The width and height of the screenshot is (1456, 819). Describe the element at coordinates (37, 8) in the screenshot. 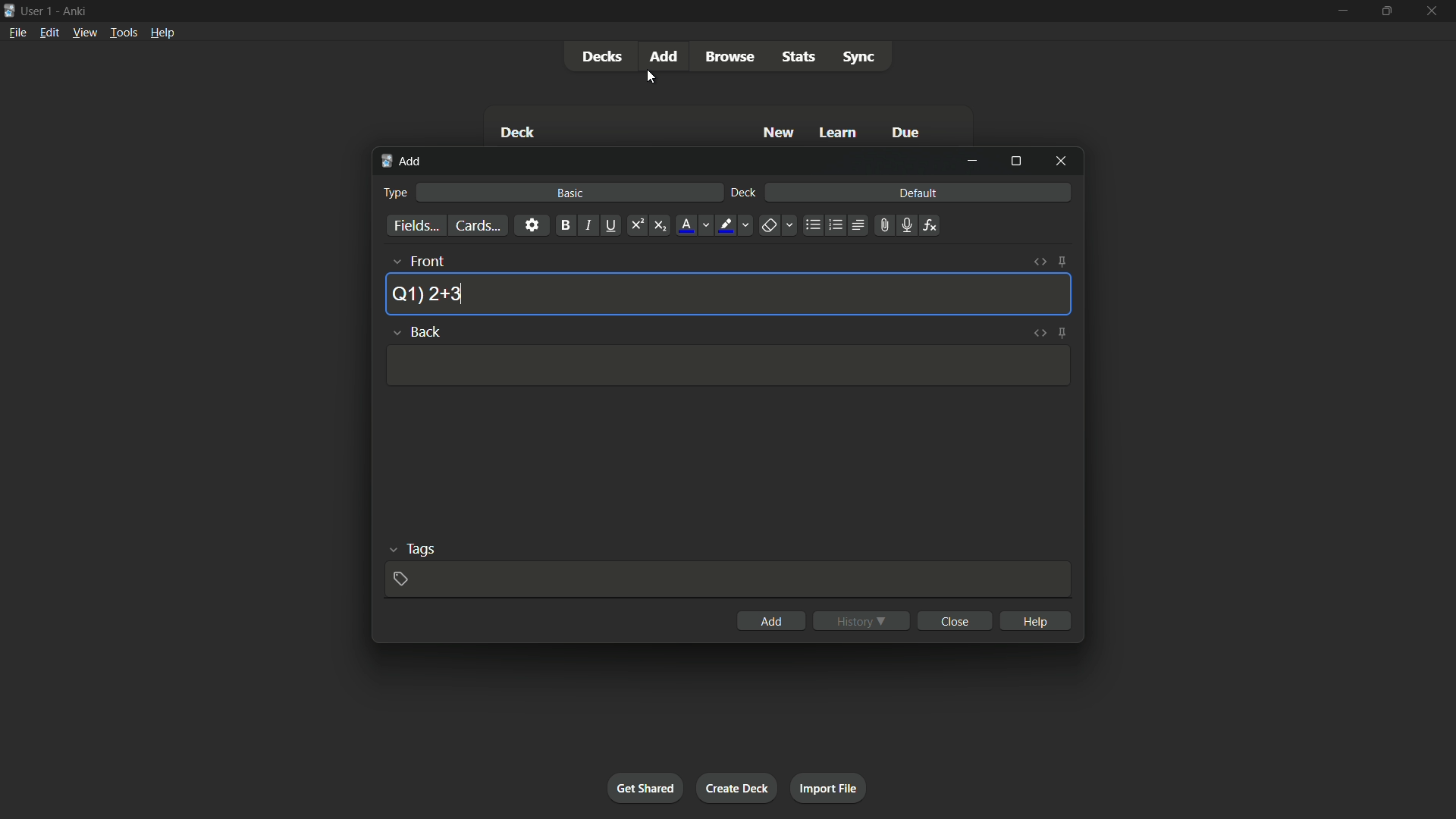

I see `user 1` at that location.